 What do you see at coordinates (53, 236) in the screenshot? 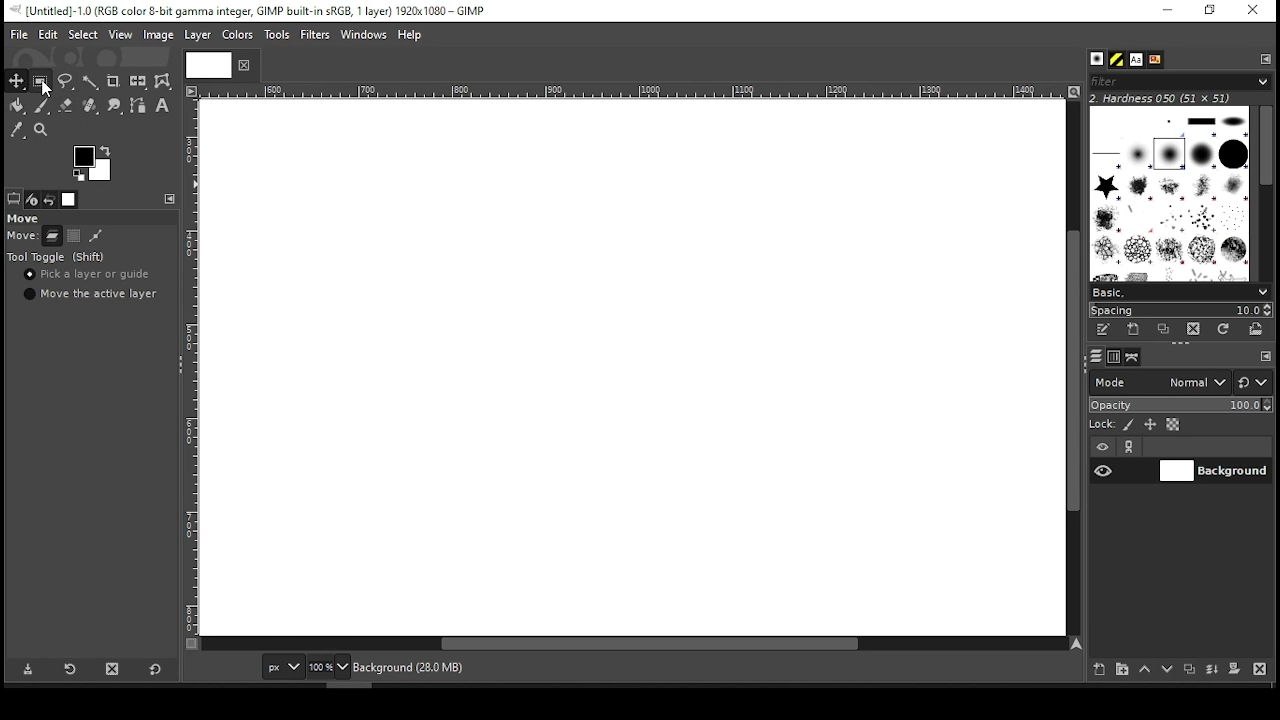
I see `move layer` at bounding box center [53, 236].